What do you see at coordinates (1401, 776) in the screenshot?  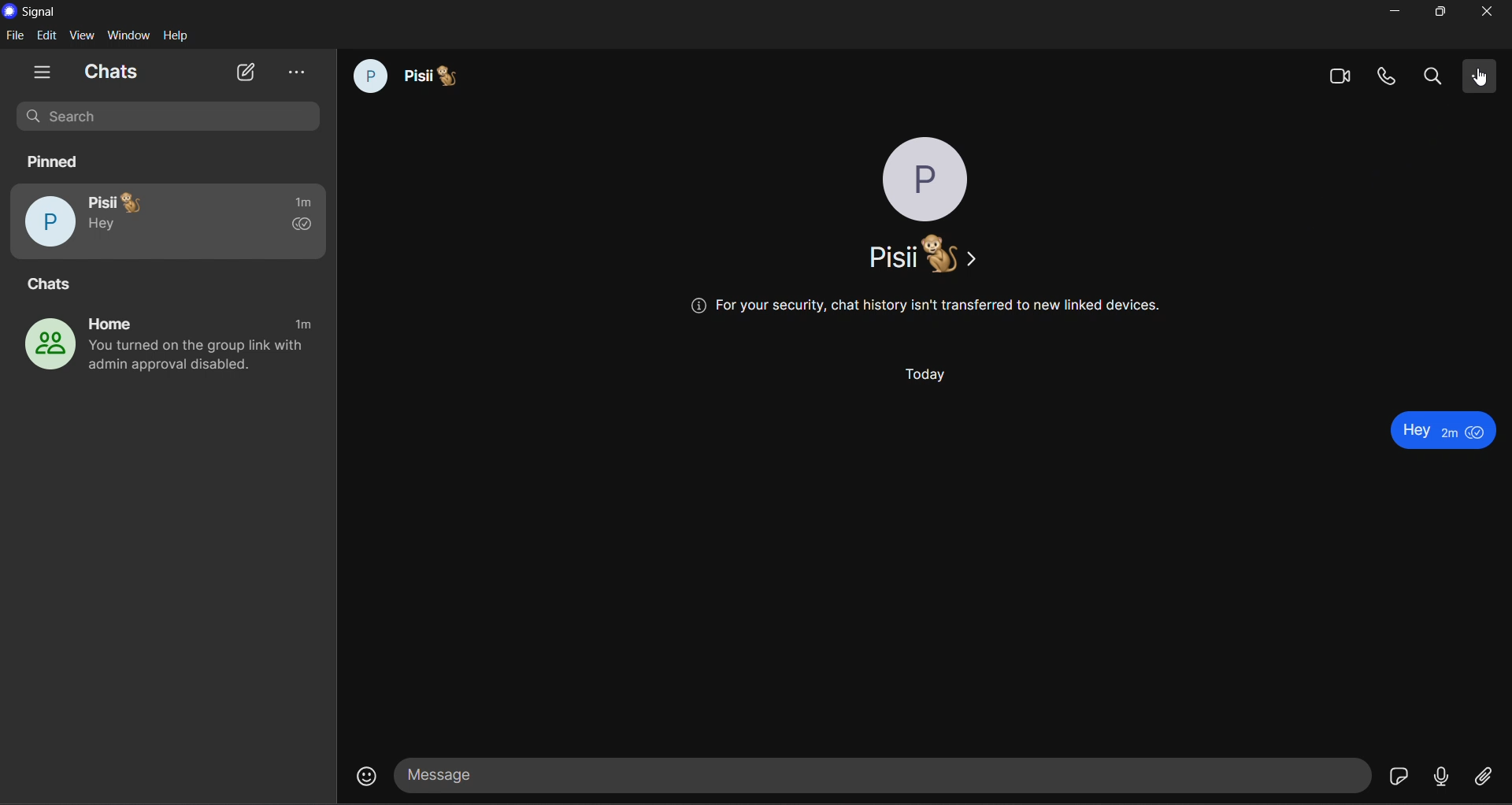 I see `stickers` at bounding box center [1401, 776].